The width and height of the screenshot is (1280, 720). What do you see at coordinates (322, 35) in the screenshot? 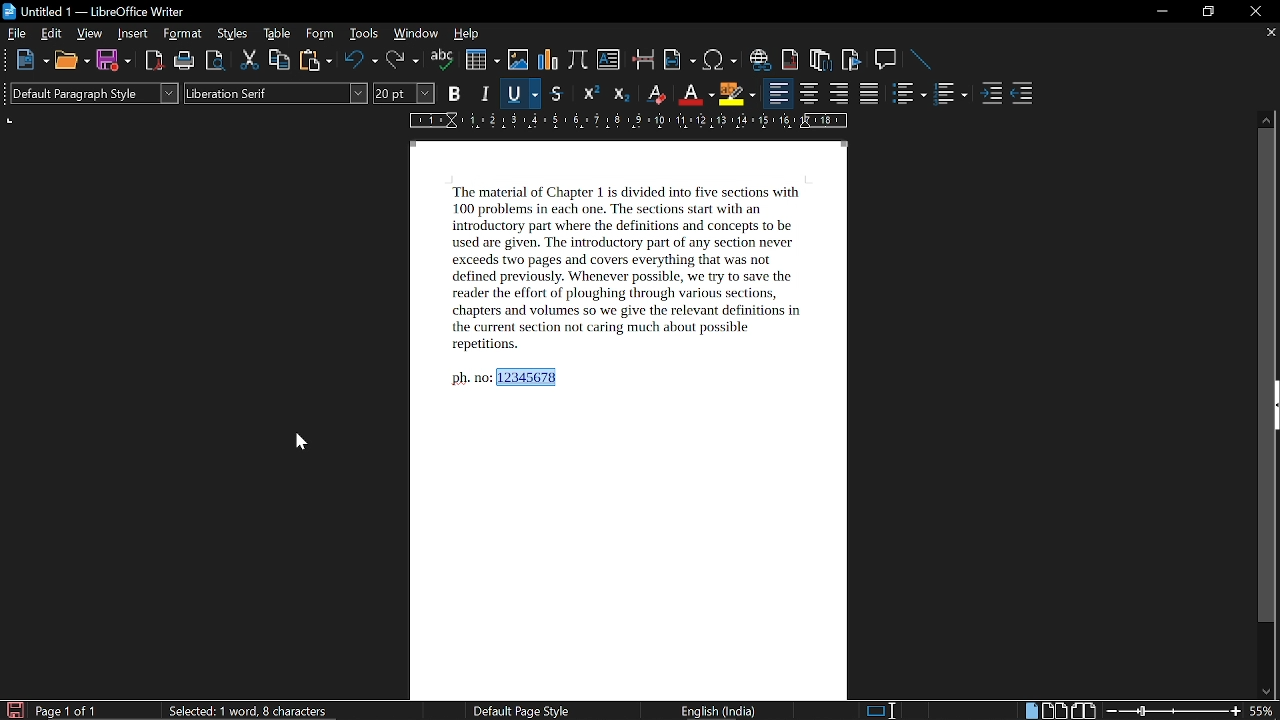
I see `form` at bounding box center [322, 35].